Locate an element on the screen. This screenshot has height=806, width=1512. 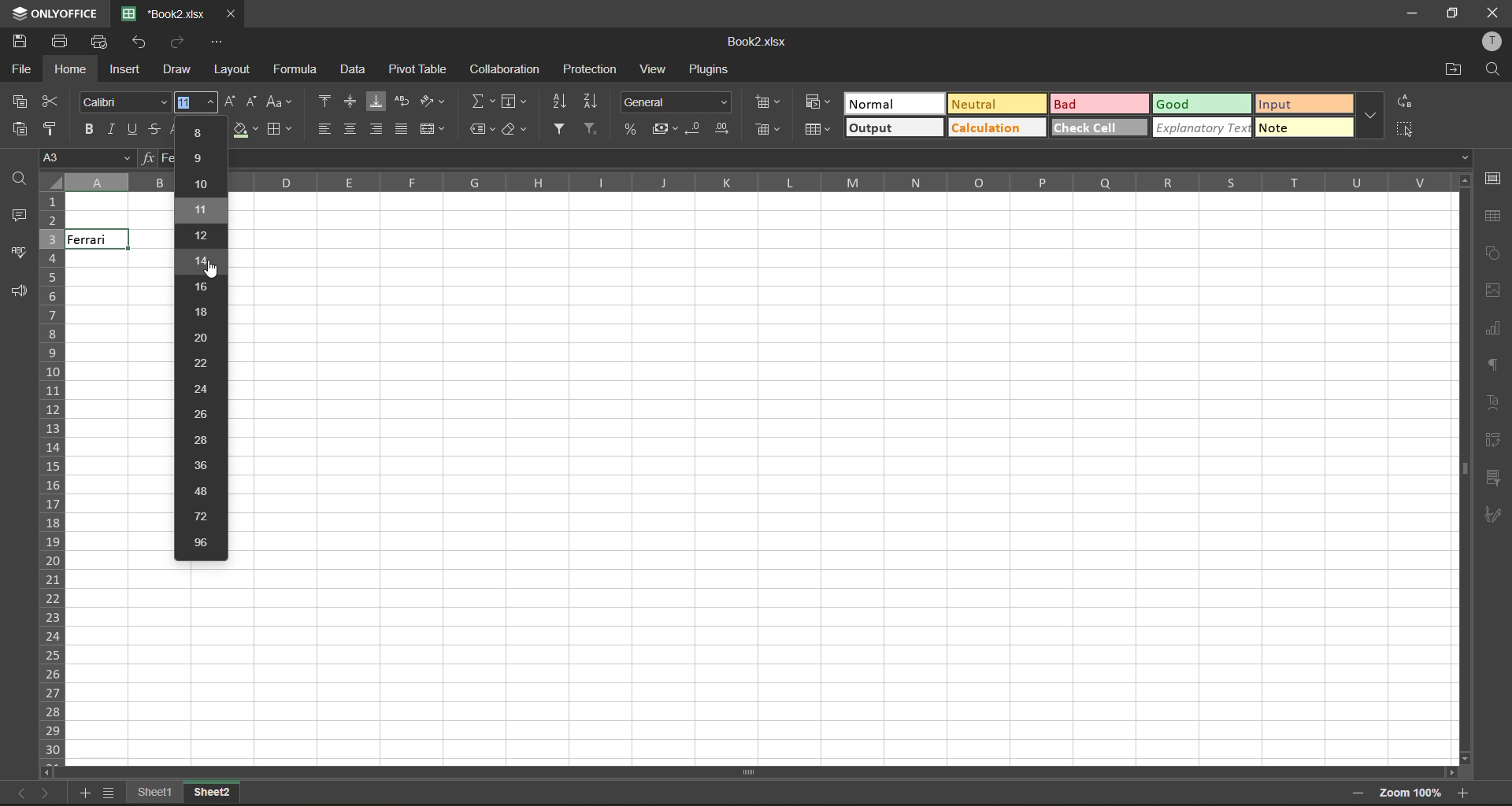
wrap text is located at coordinates (404, 101).